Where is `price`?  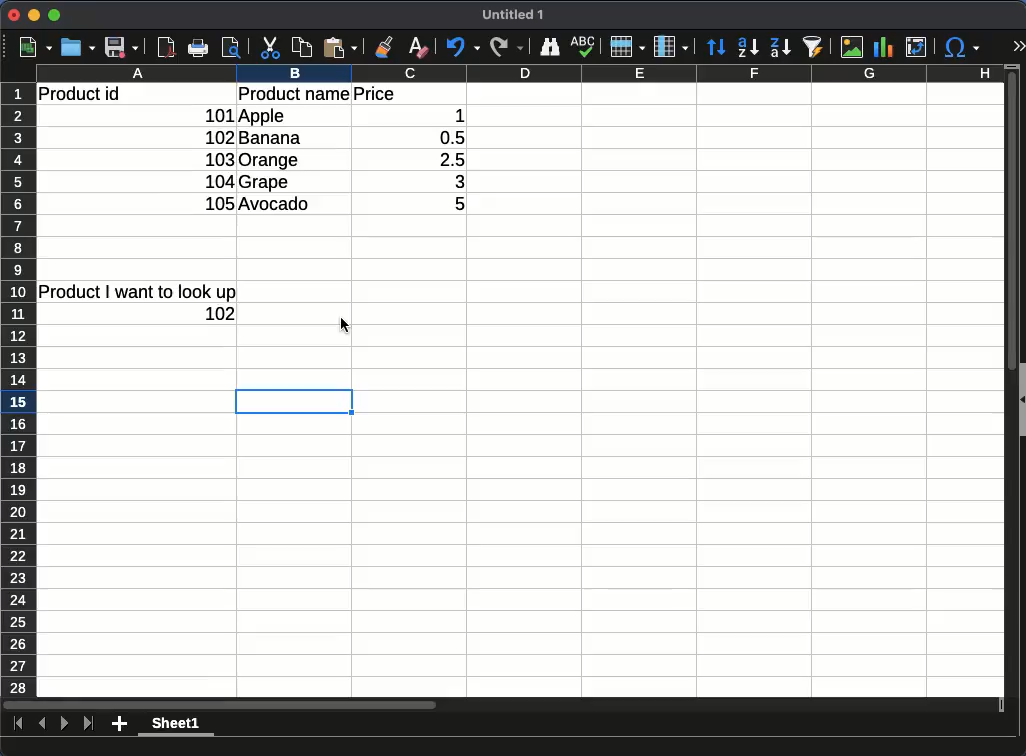 price is located at coordinates (374, 94).